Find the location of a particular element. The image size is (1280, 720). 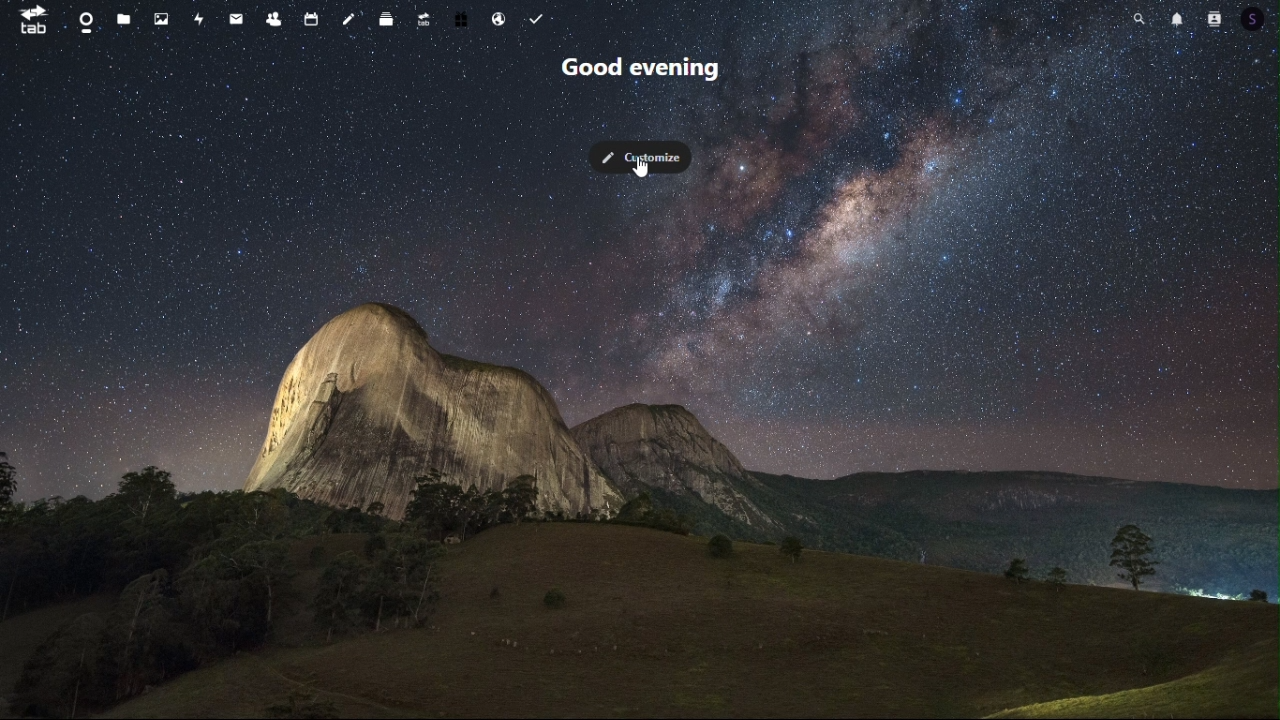

Activity is located at coordinates (201, 19).